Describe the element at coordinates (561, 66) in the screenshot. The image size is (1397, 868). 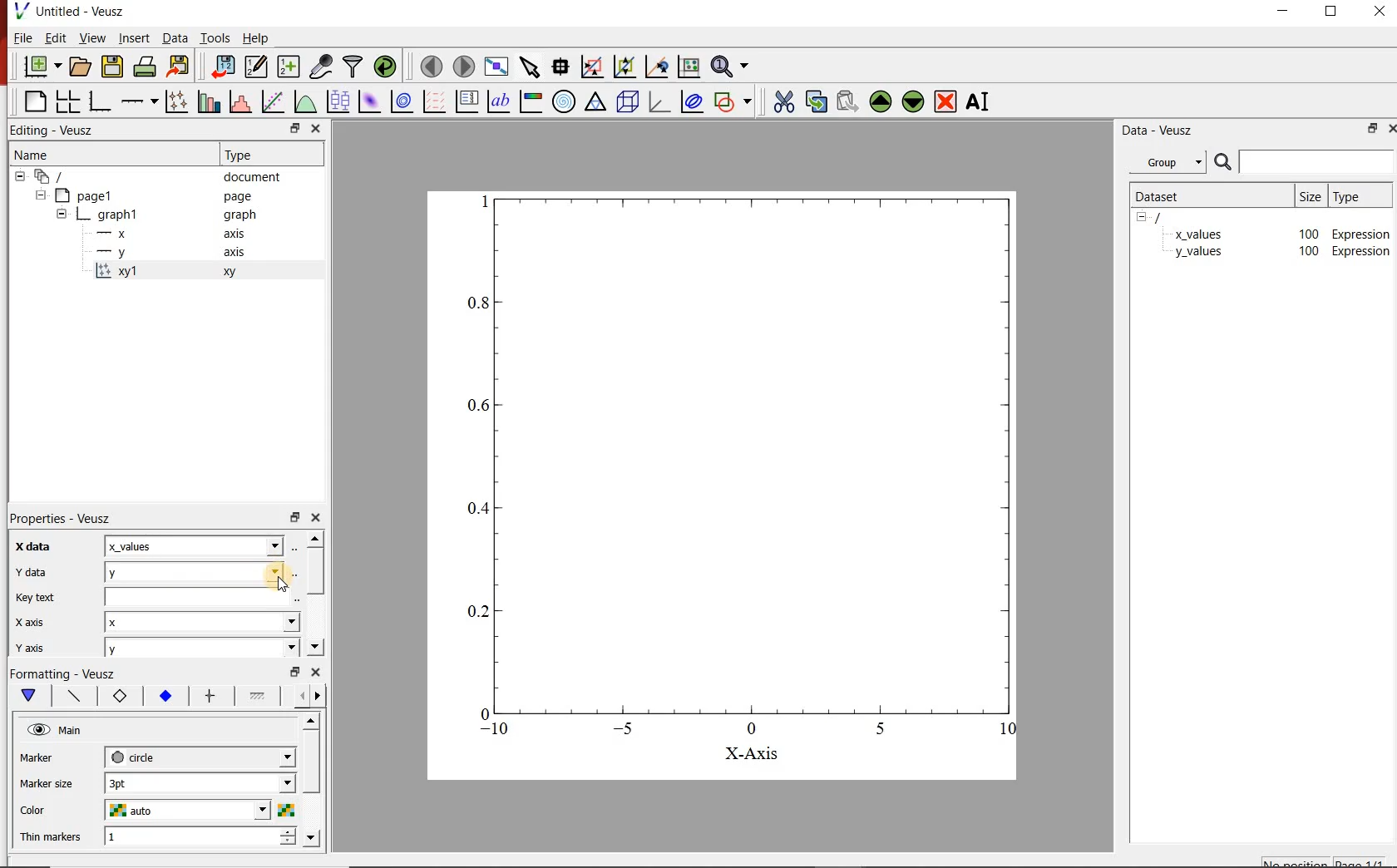
I see `read data points on the graph` at that location.